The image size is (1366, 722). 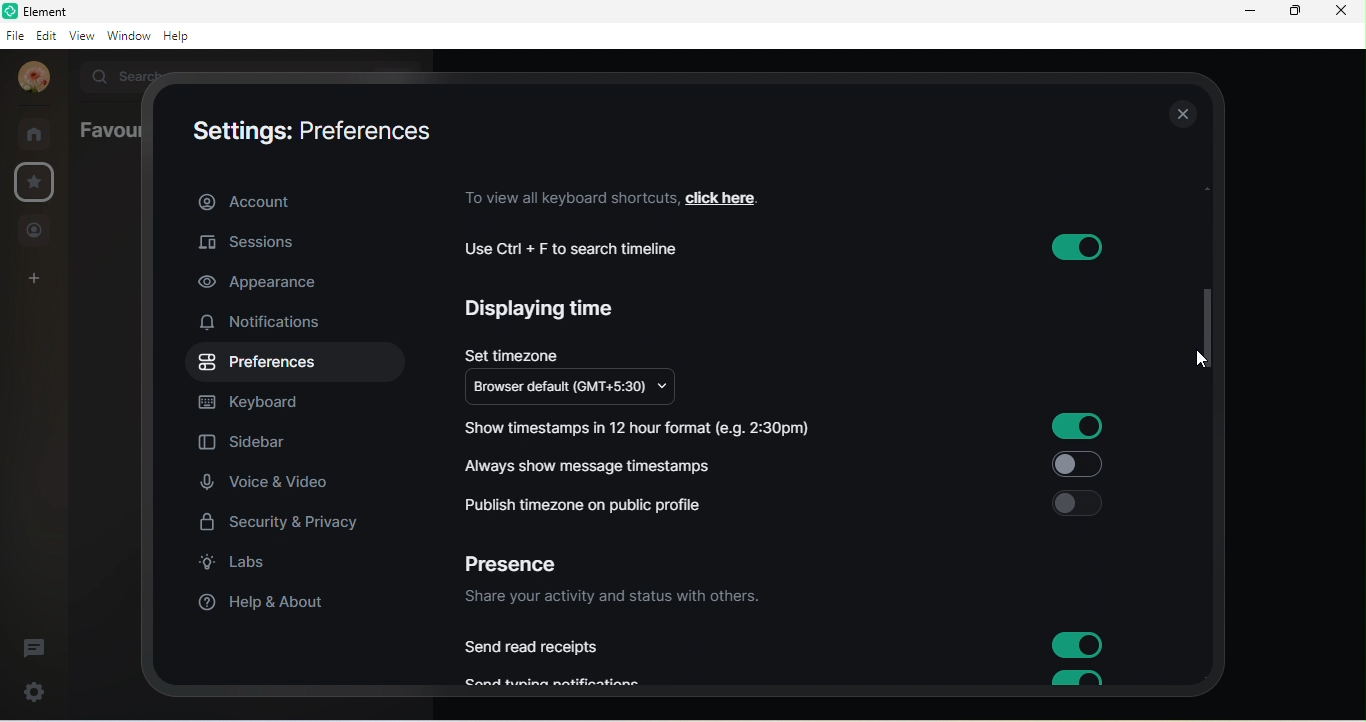 I want to click on Element, so click(x=43, y=11).